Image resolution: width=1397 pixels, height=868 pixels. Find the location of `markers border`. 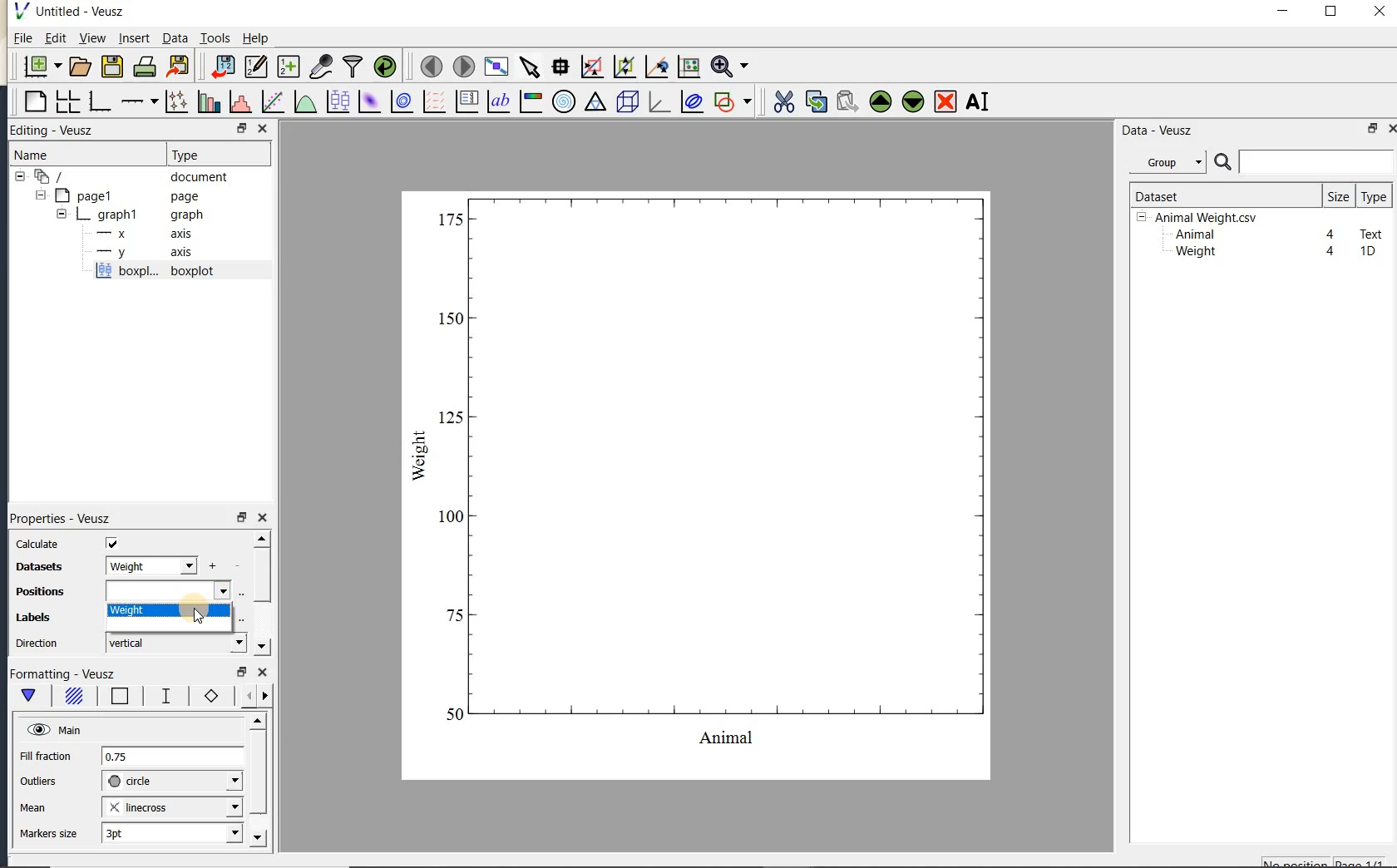

markers border is located at coordinates (208, 696).